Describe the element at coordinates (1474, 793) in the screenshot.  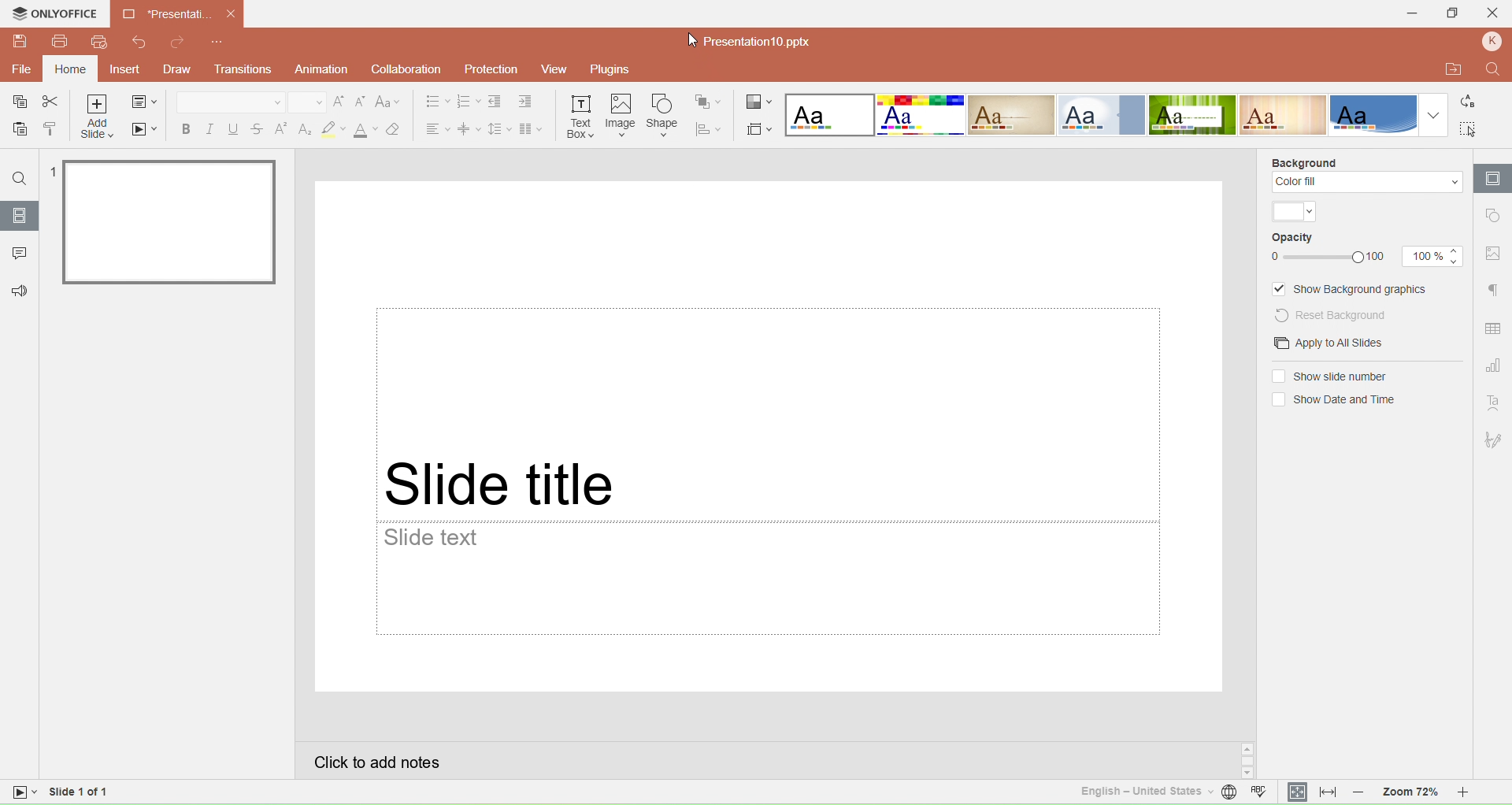
I see `Zoom in` at that location.